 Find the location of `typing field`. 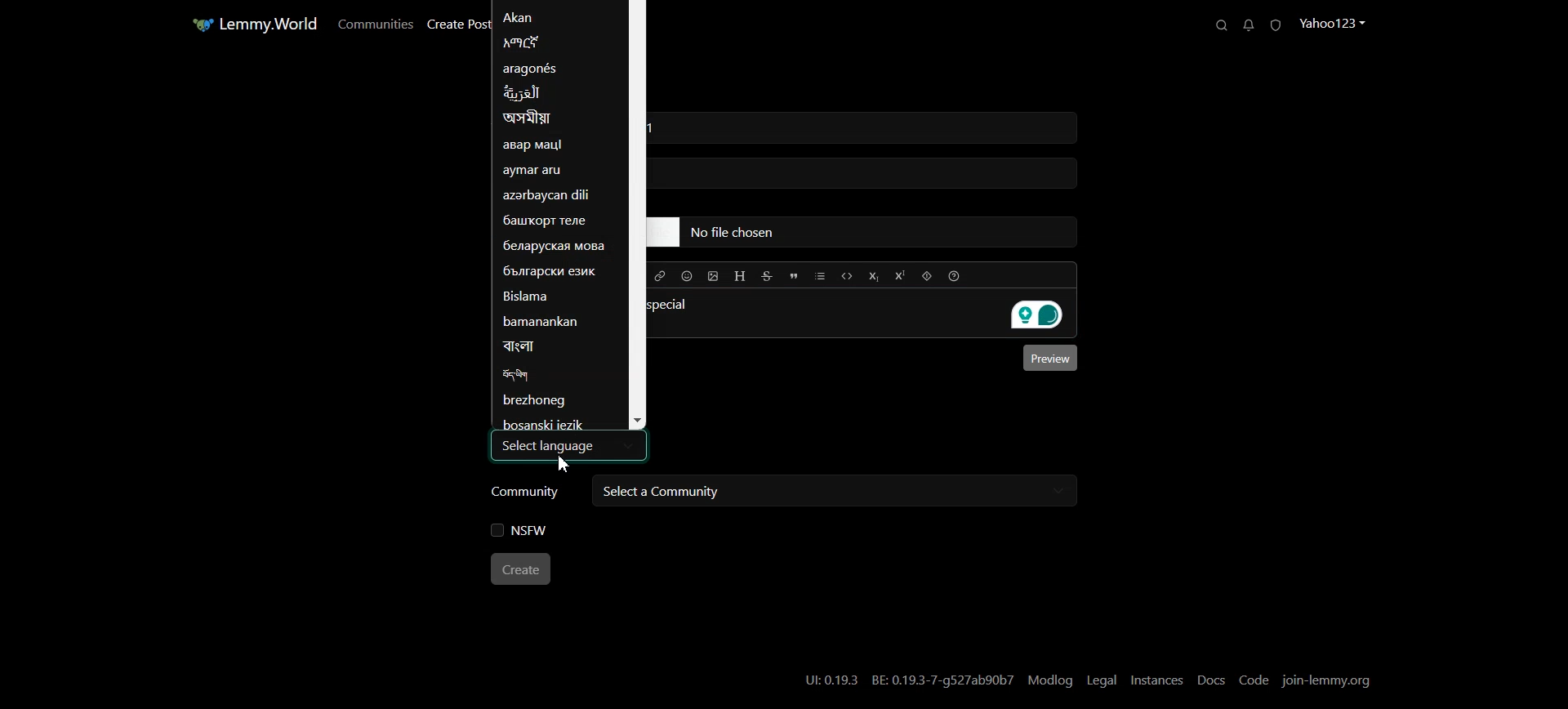

typing field is located at coordinates (863, 232).